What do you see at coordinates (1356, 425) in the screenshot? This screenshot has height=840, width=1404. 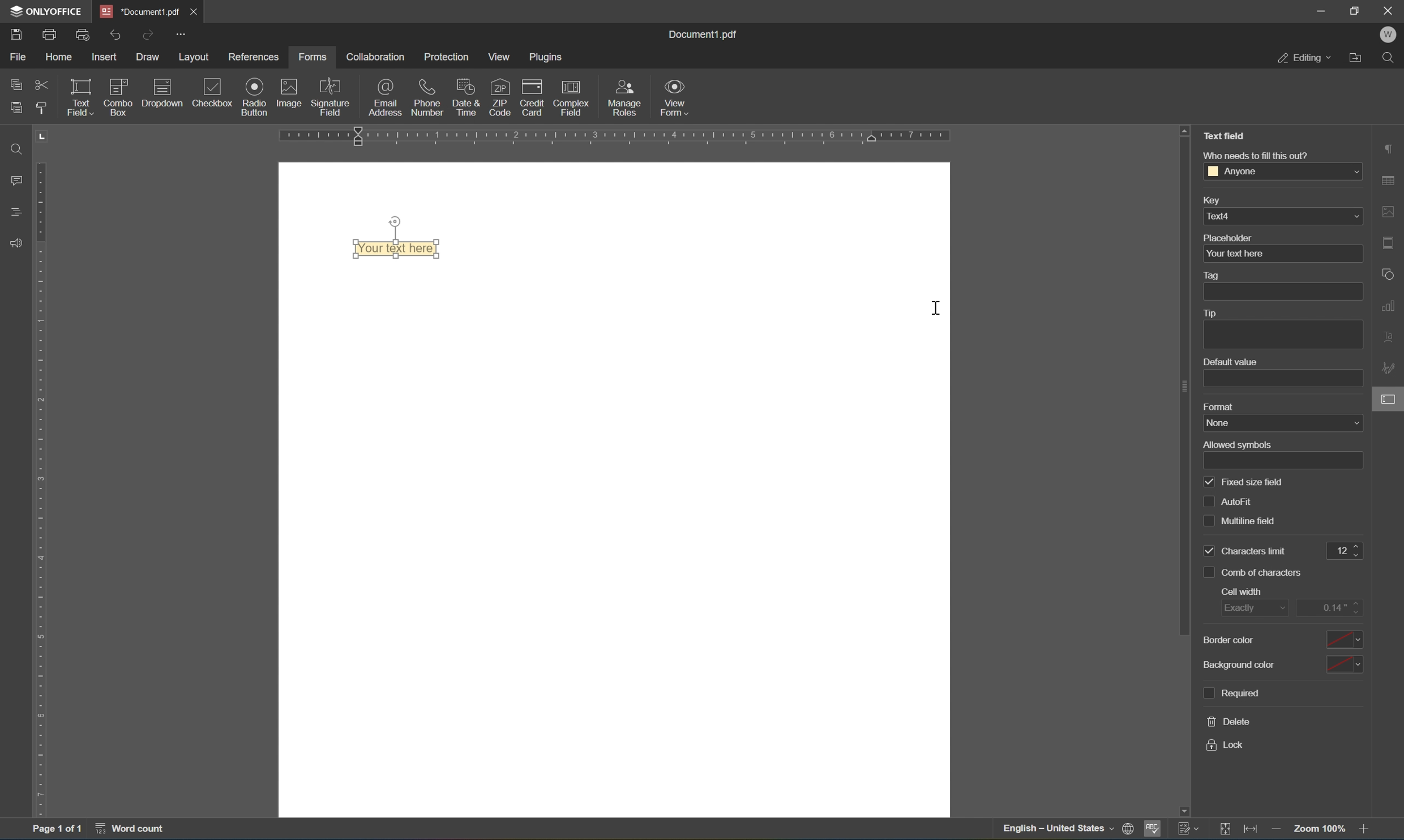 I see `form settings` at bounding box center [1356, 425].